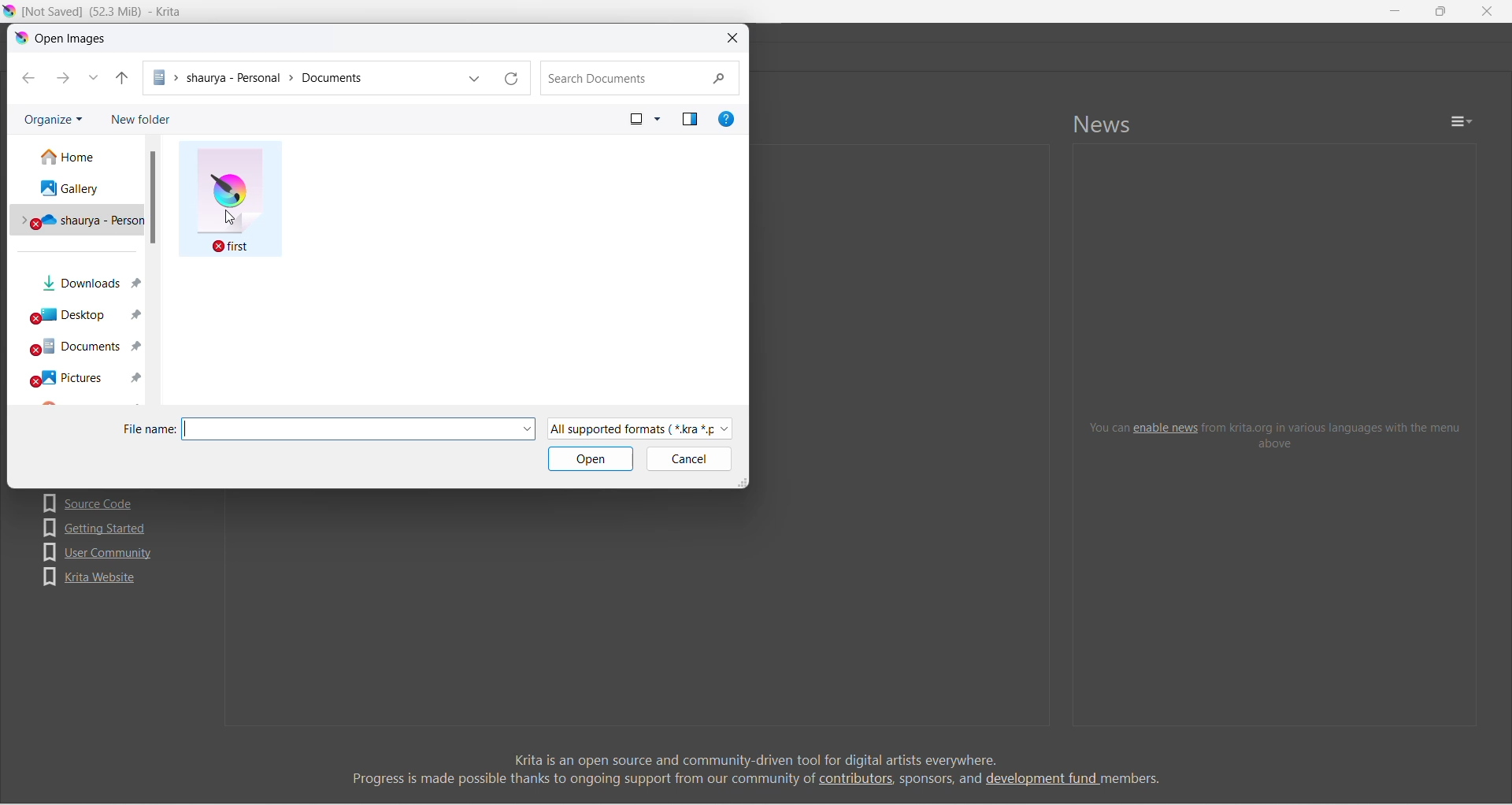  What do you see at coordinates (733, 38) in the screenshot?
I see `close` at bounding box center [733, 38].